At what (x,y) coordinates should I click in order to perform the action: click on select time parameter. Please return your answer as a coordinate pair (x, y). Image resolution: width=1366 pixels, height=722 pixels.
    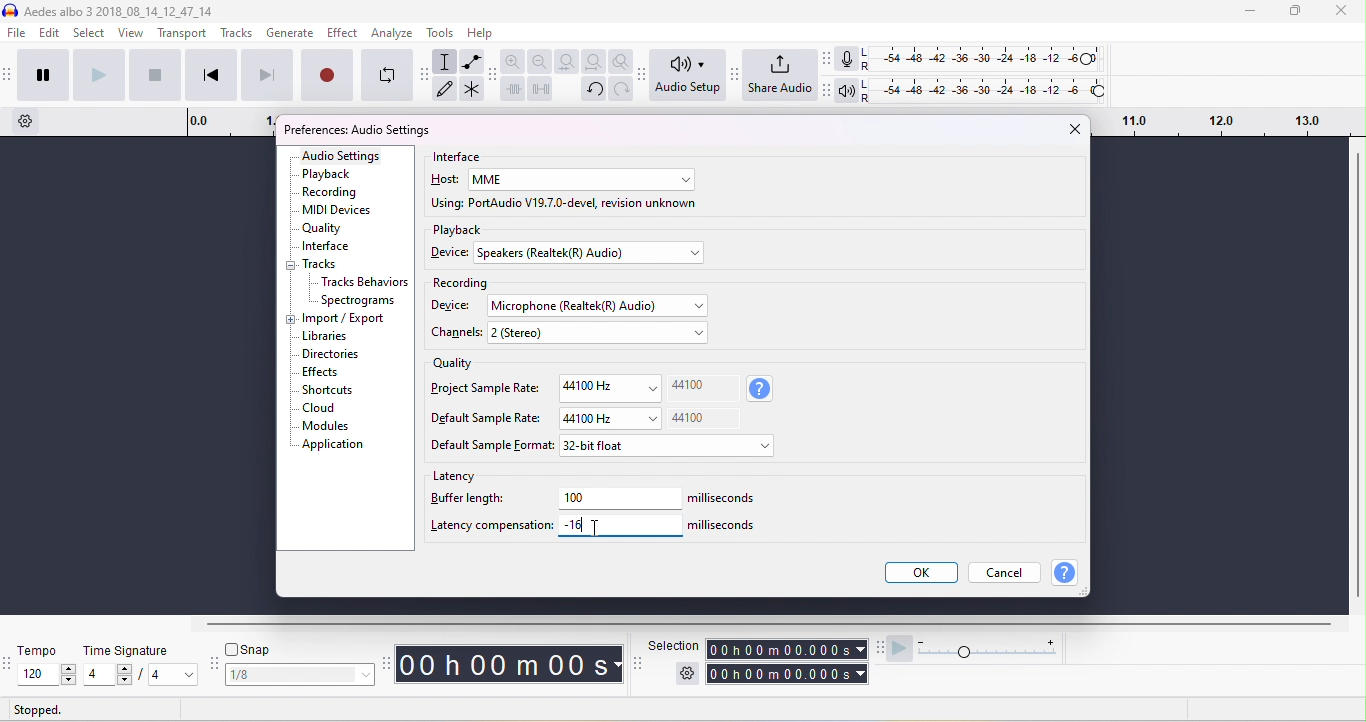
    Looking at the image, I should click on (860, 649).